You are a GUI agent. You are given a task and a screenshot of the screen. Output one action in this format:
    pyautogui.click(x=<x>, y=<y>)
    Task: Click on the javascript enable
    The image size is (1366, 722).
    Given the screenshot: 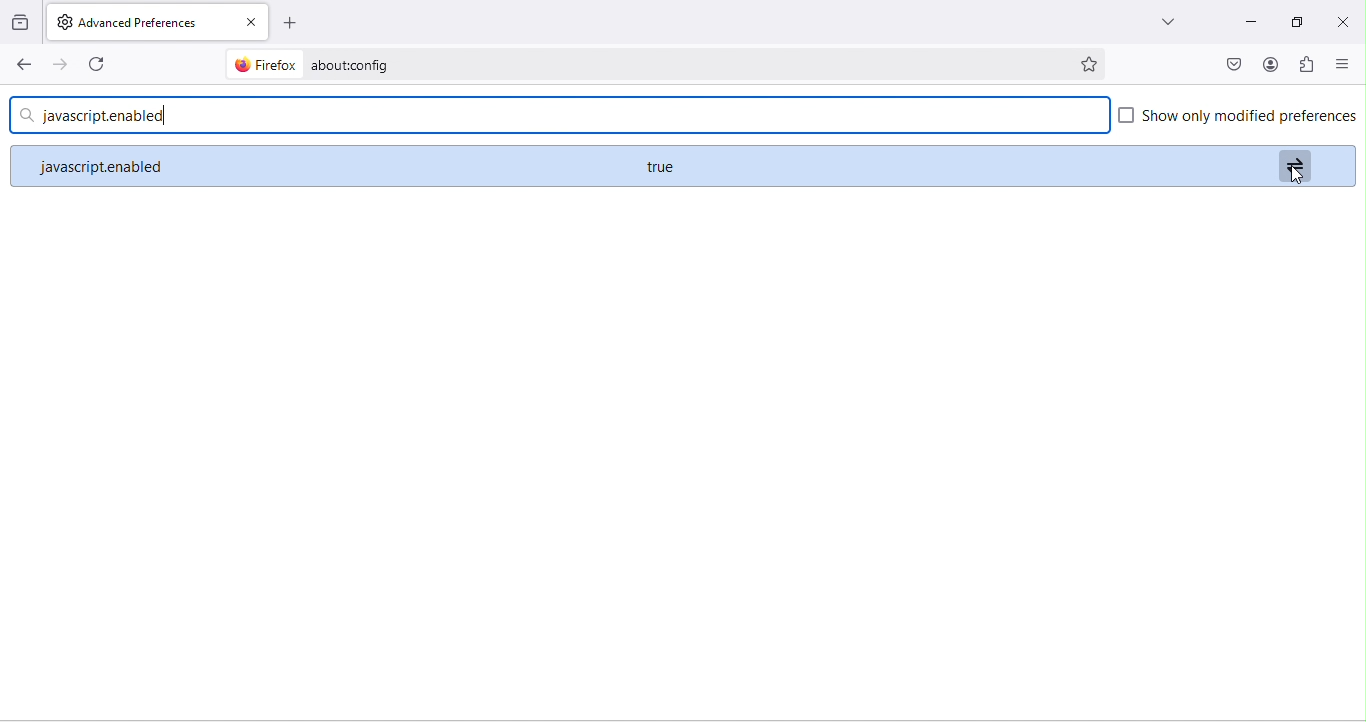 What is the action you would take?
    pyautogui.click(x=308, y=167)
    